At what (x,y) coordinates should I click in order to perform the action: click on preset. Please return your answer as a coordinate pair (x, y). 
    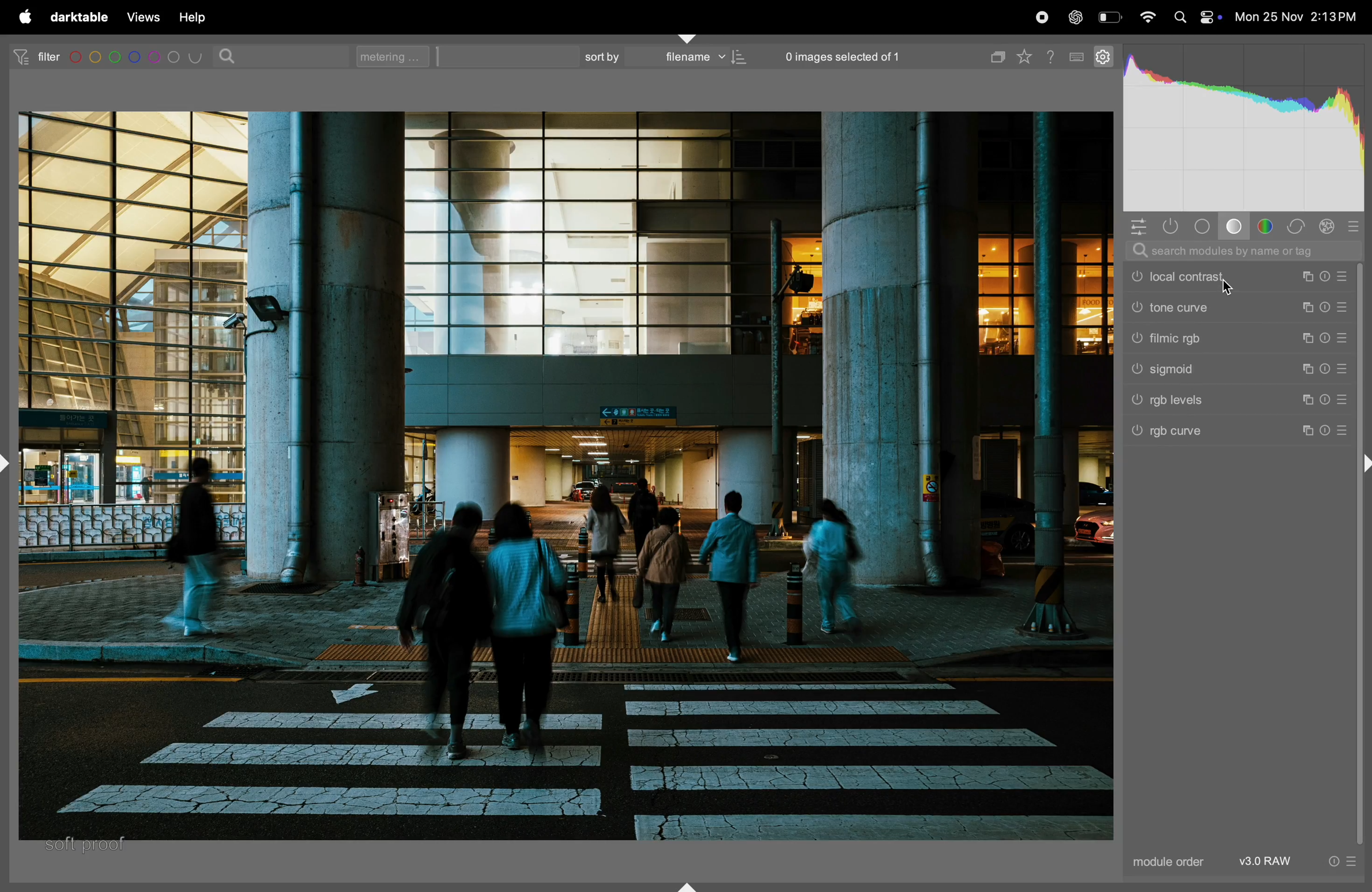
    Looking at the image, I should click on (1350, 860).